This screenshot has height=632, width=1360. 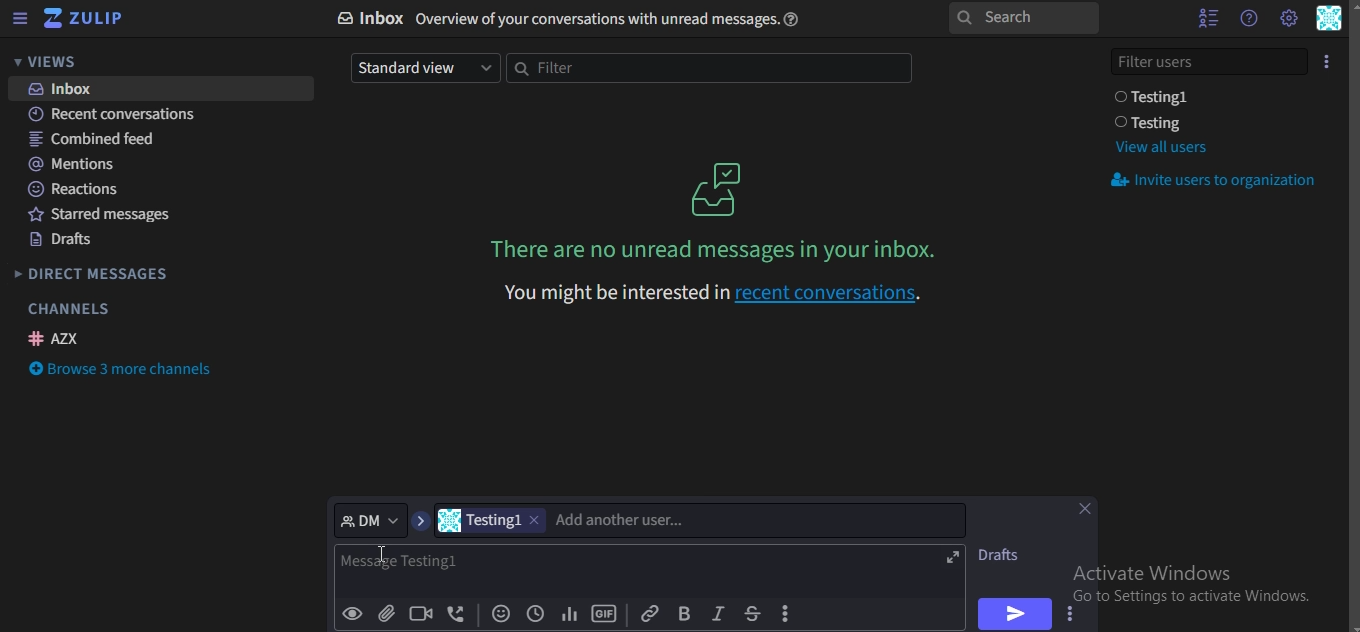 I want to click on testing1, so click(x=494, y=520).